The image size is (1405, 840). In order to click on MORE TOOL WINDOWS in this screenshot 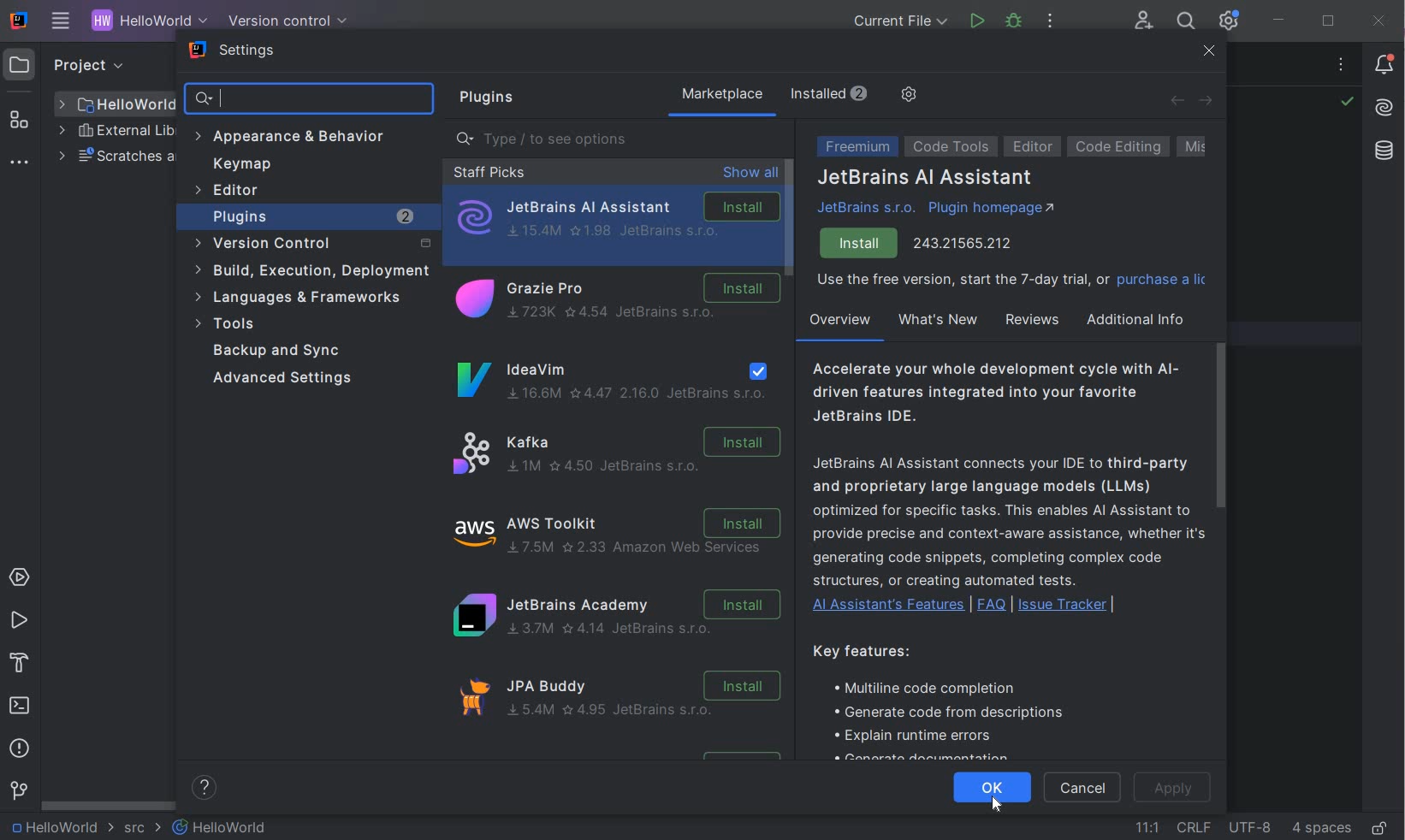, I will do `click(19, 163)`.